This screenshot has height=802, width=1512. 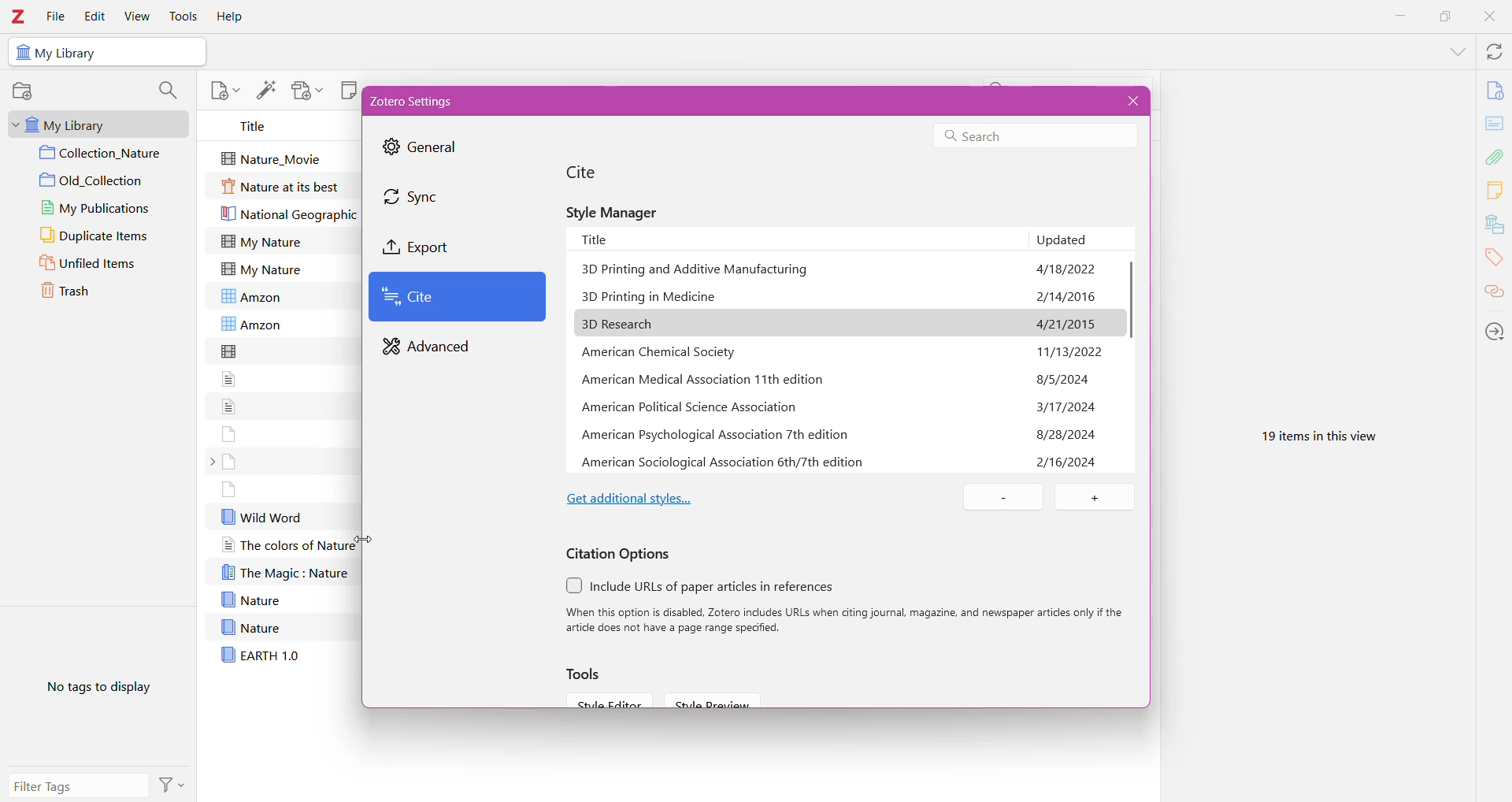 What do you see at coordinates (607, 700) in the screenshot?
I see `Style Editor` at bounding box center [607, 700].